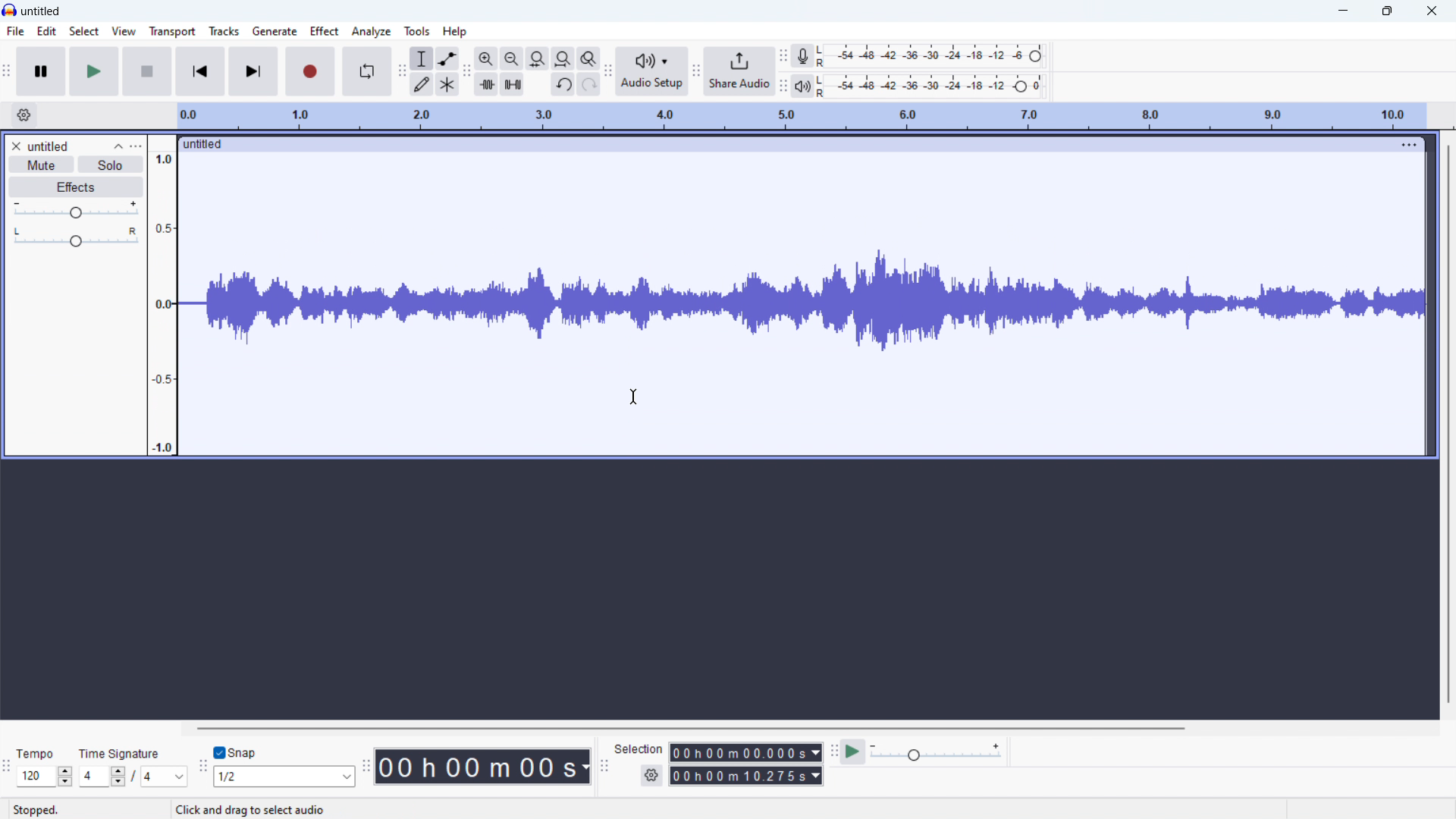  I want to click on skip to end, so click(253, 71).